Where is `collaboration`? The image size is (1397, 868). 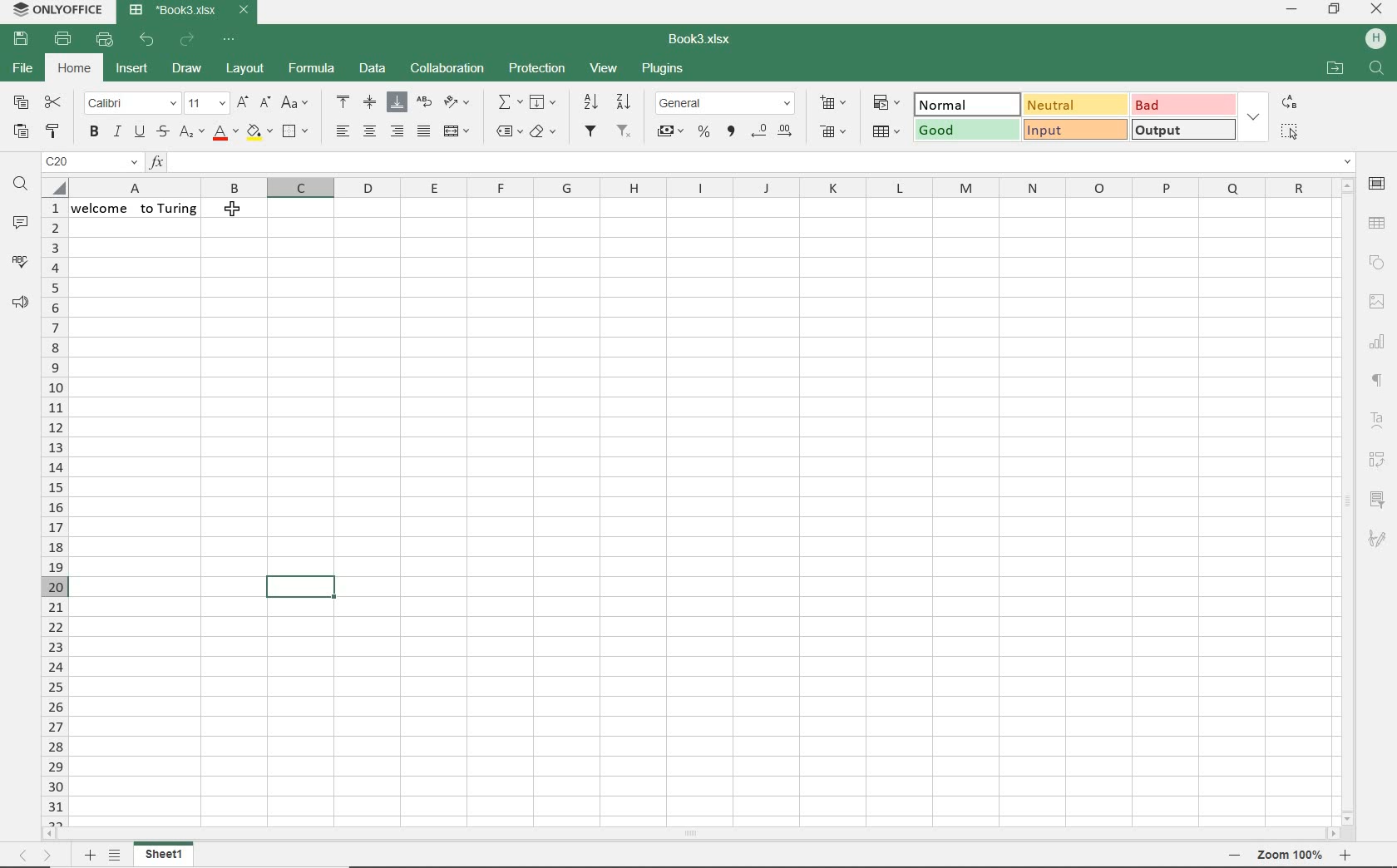
collaboration is located at coordinates (448, 70).